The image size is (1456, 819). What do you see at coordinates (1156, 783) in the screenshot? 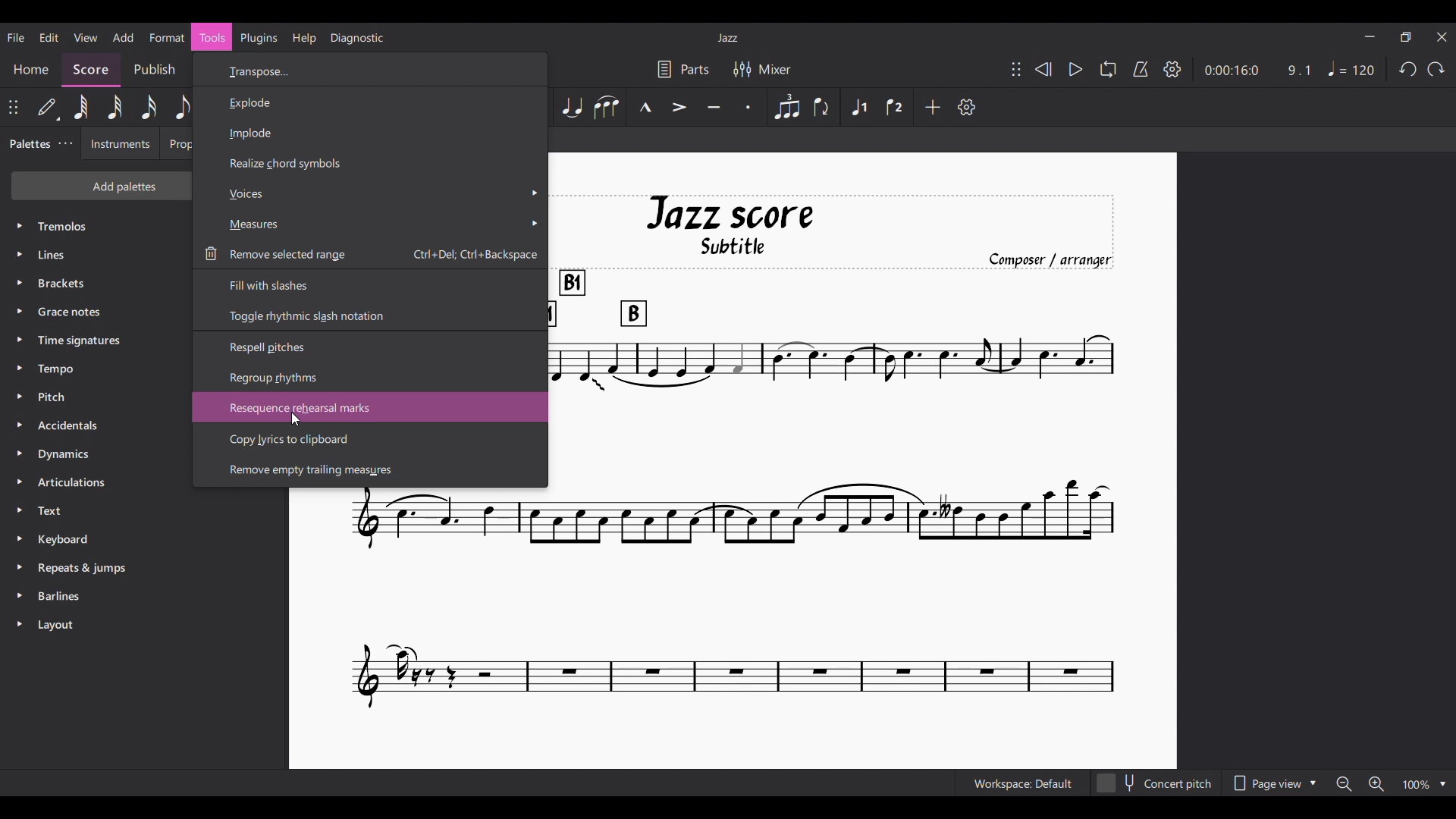
I see `Concert pitch toggle` at bounding box center [1156, 783].